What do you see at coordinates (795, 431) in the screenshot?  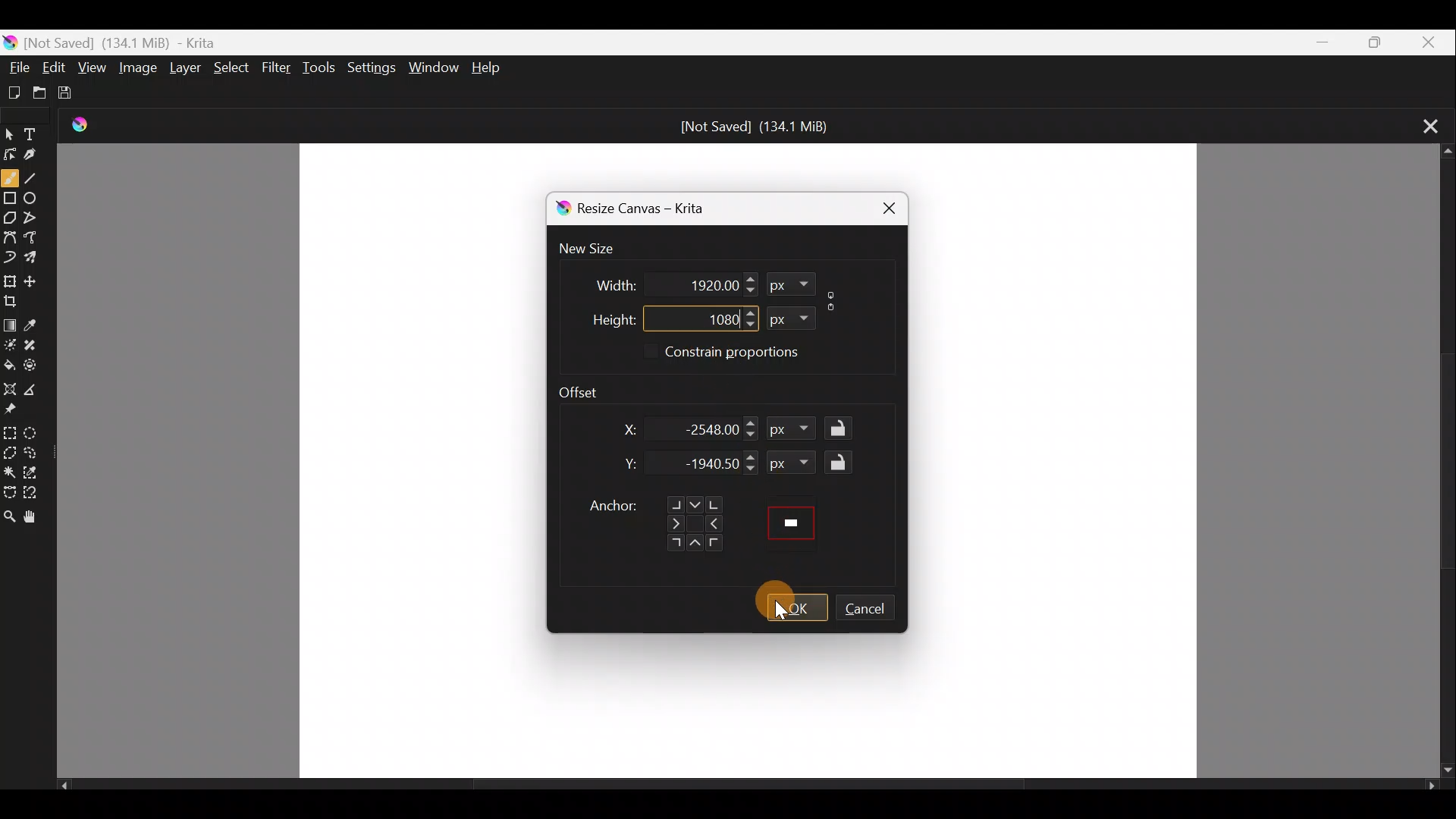 I see `px` at bounding box center [795, 431].